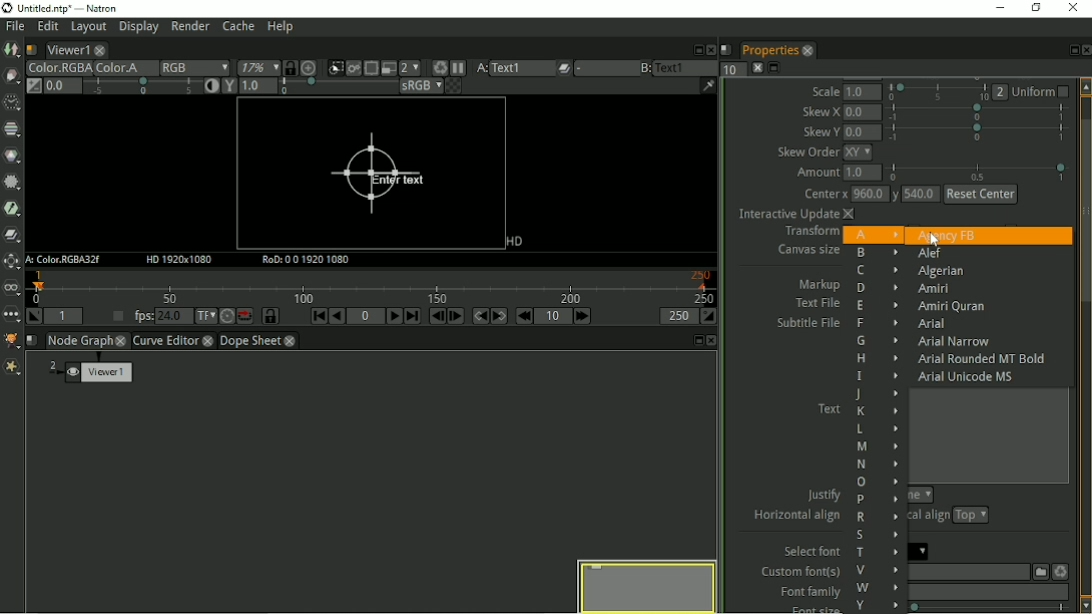 The height and width of the screenshot is (614, 1092). I want to click on Custom, so click(1038, 571).